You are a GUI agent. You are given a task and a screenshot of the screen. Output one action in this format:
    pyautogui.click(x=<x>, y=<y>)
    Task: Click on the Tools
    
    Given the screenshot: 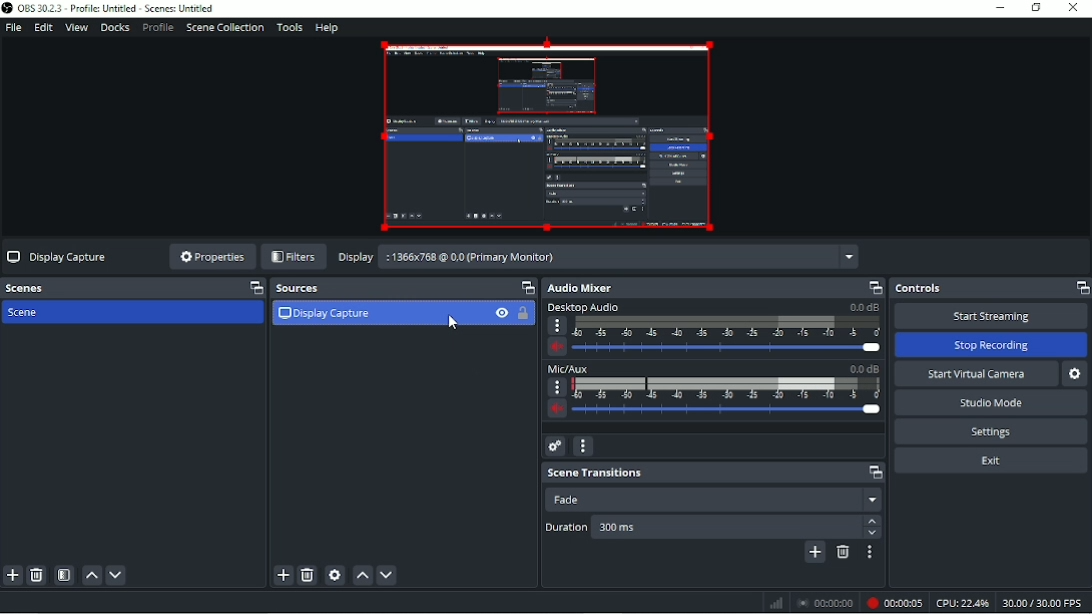 What is the action you would take?
    pyautogui.click(x=289, y=28)
    